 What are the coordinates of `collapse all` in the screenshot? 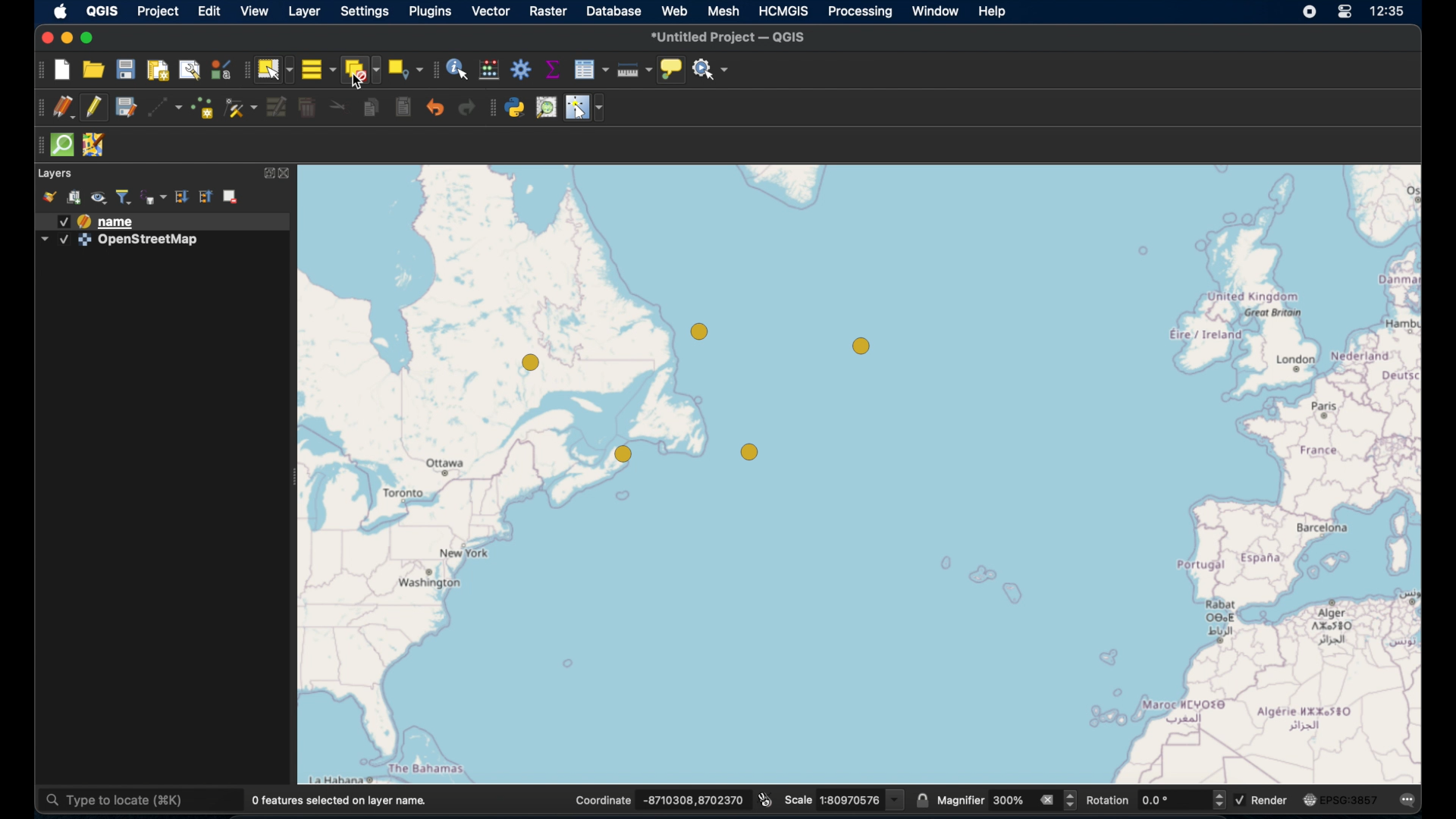 It's located at (182, 197).